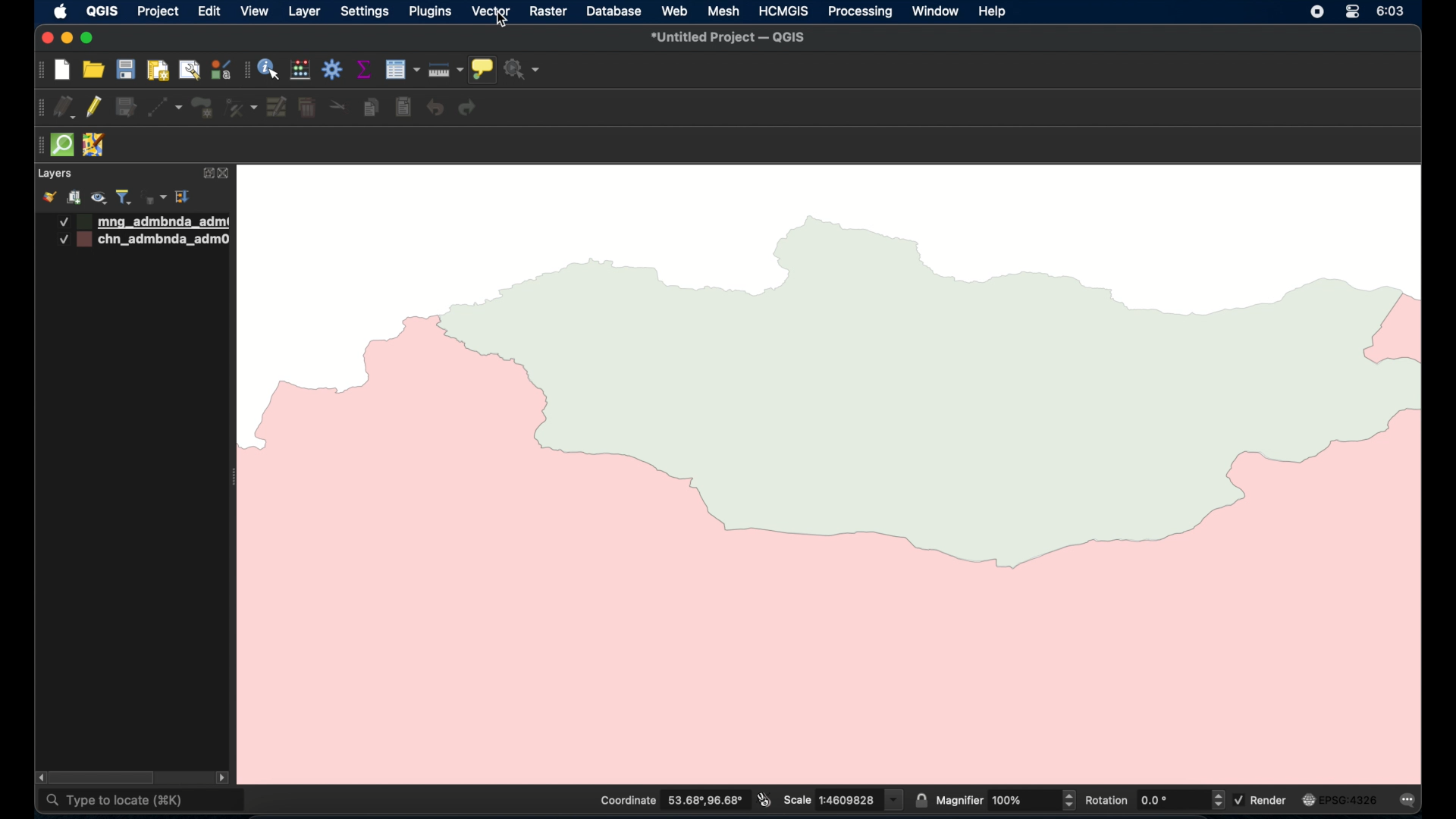 The width and height of the screenshot is (1456, 819). I want to click on edit, so click(209, 11).